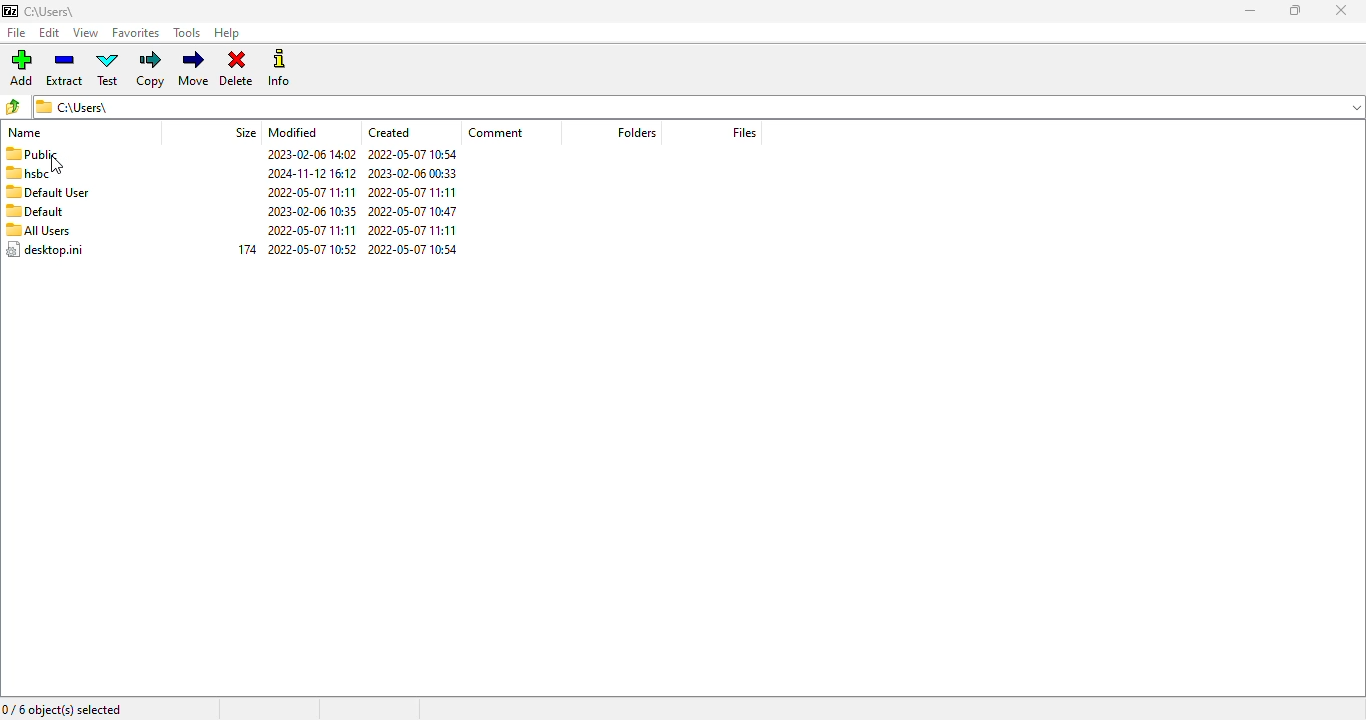 The height and width of the screenshot is (720, 1366). I want to click on cursor, so click(58, 165).